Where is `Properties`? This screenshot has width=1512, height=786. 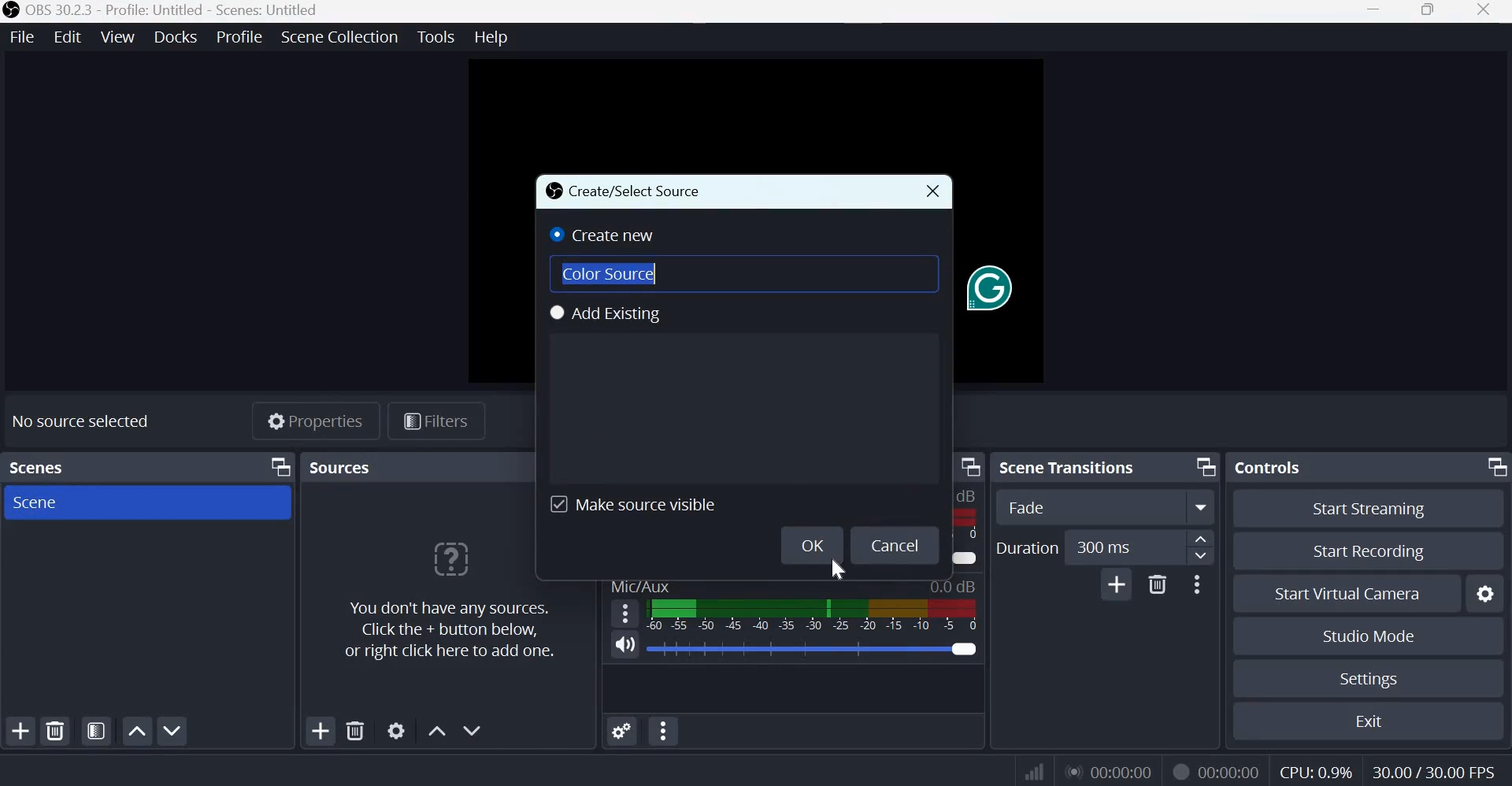
Properties is located at coordinates (314, 423).